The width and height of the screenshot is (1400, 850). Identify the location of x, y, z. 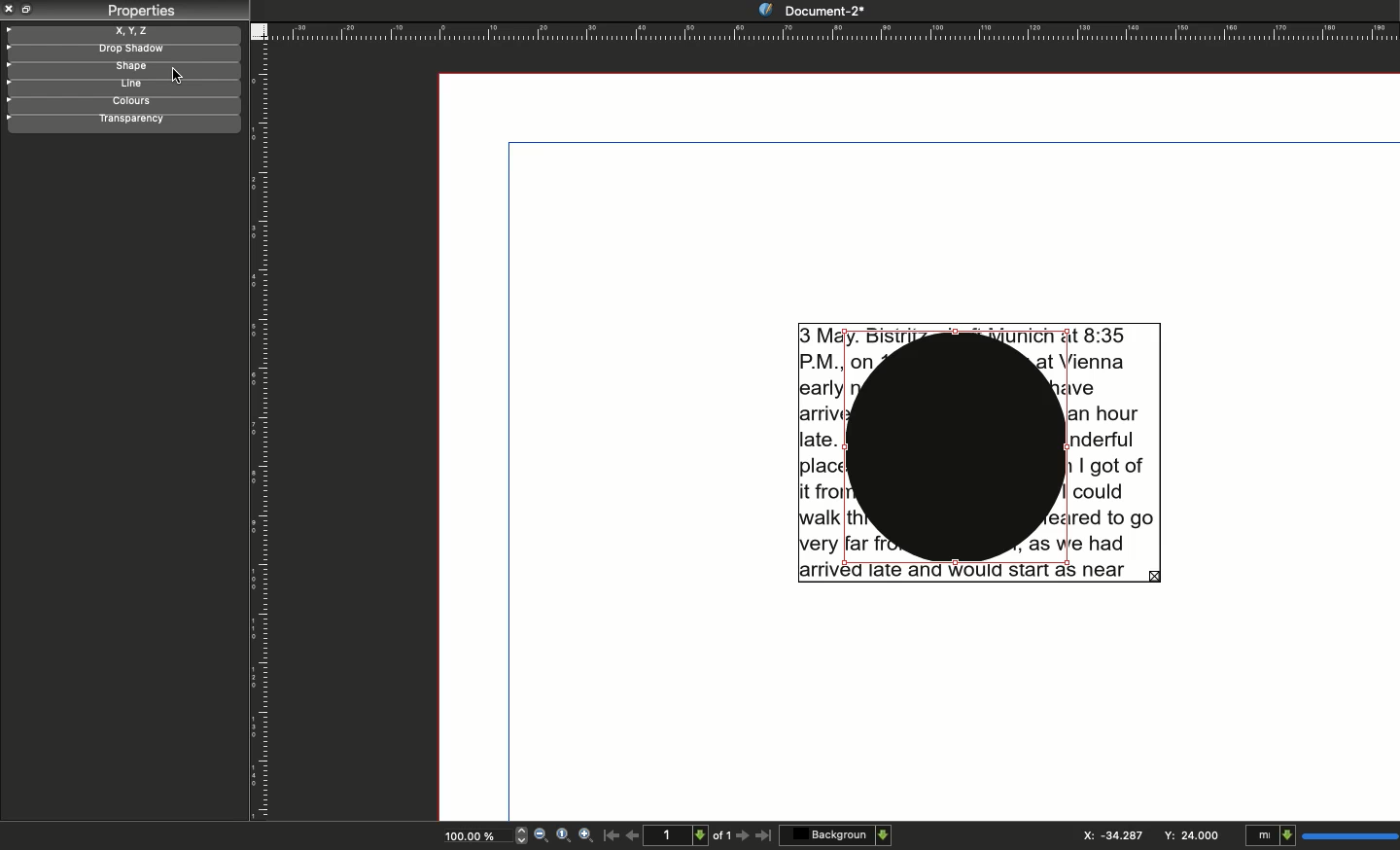
(141, 31).